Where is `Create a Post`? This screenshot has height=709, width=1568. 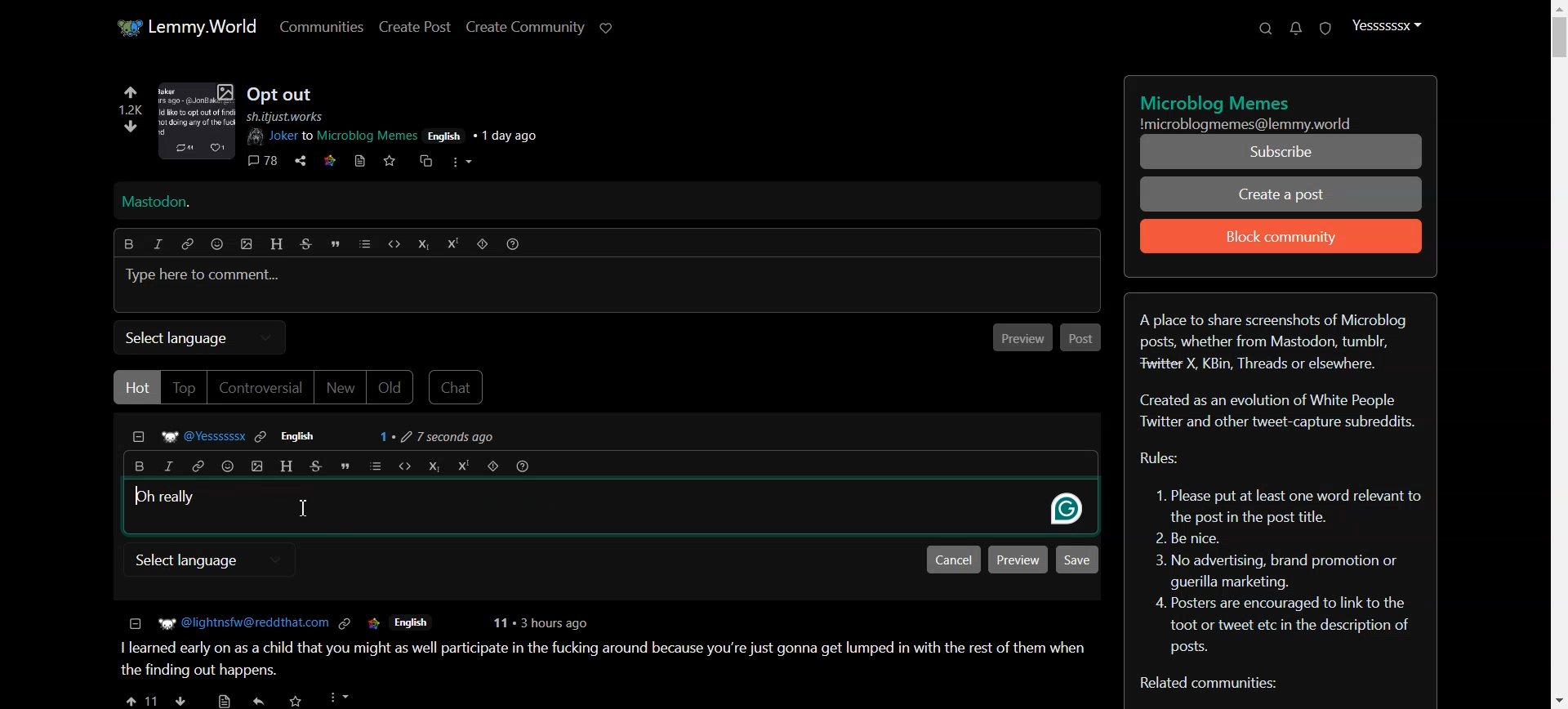
Create a Post is located at coordinates (1280, 194).